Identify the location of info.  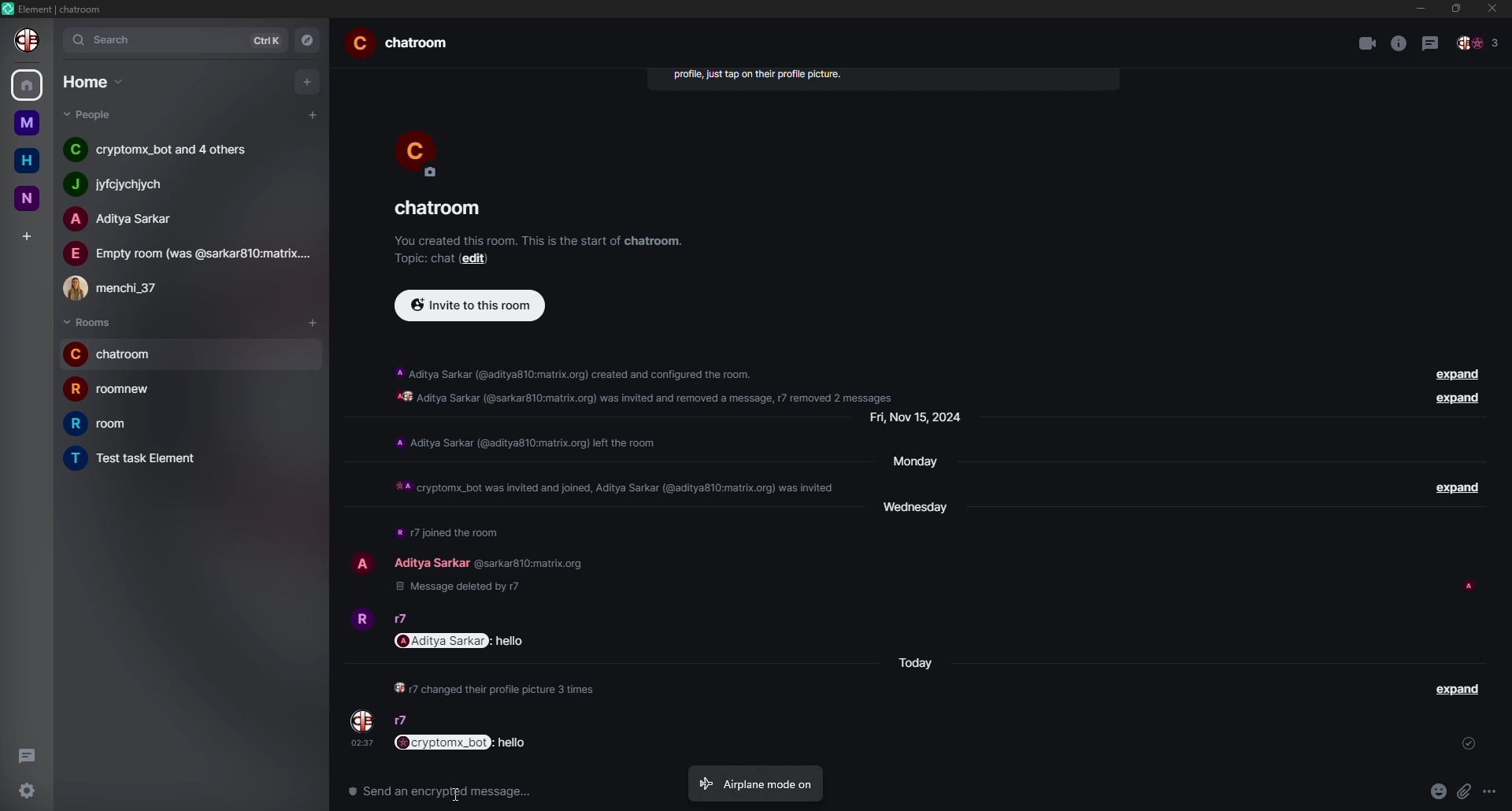
(1397, 43).